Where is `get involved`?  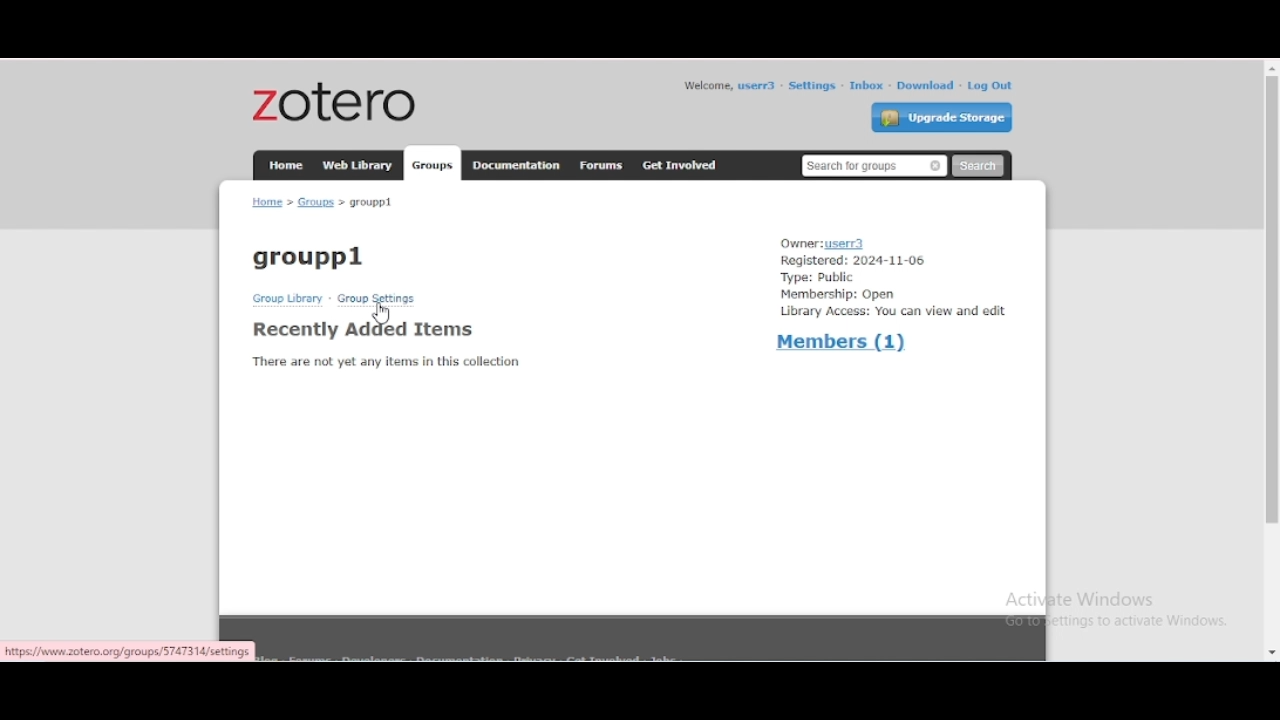 get involved is located at coordinates (681, 165).